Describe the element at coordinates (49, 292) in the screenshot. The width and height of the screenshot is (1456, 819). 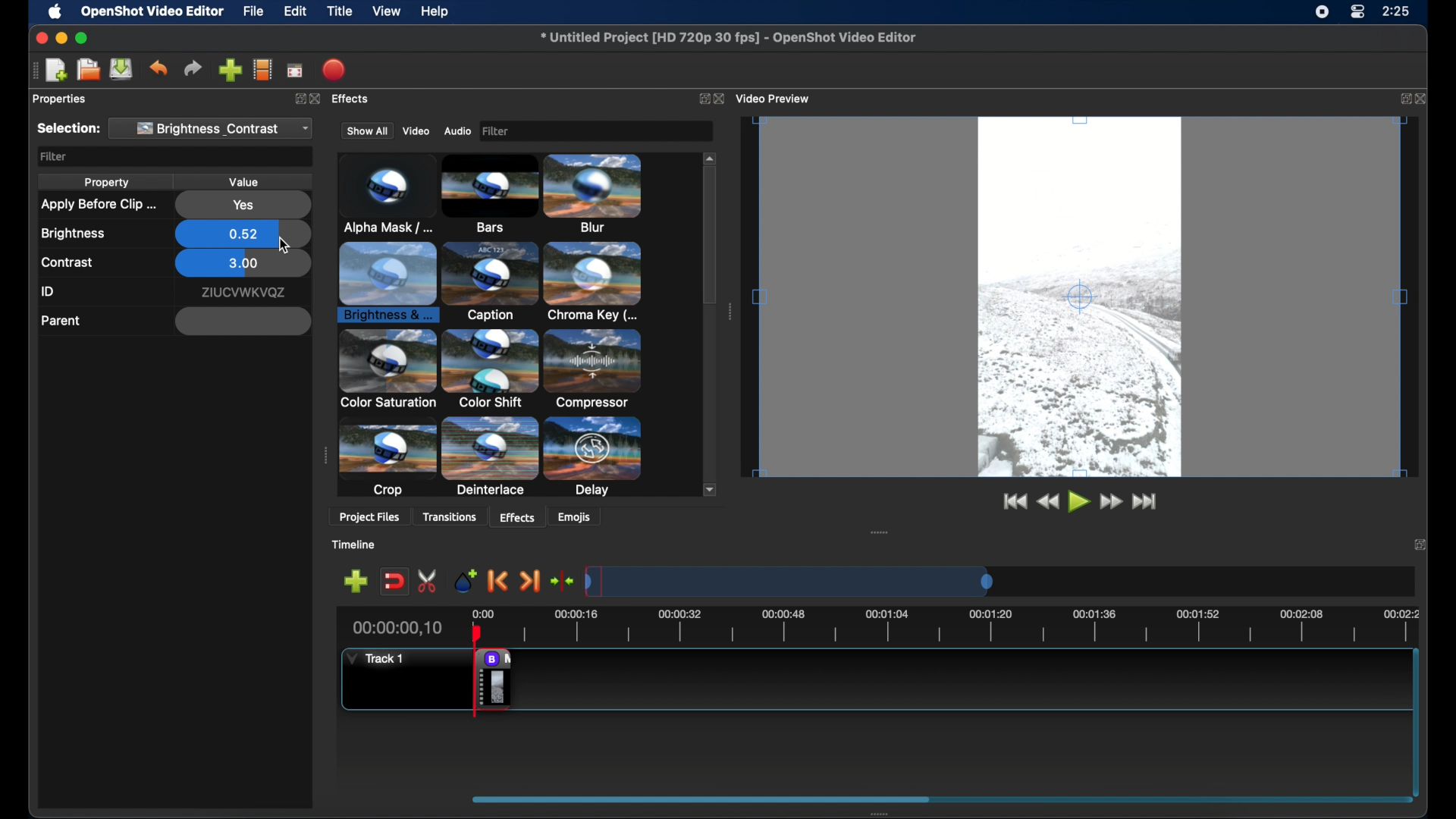
I see `id` at that location.